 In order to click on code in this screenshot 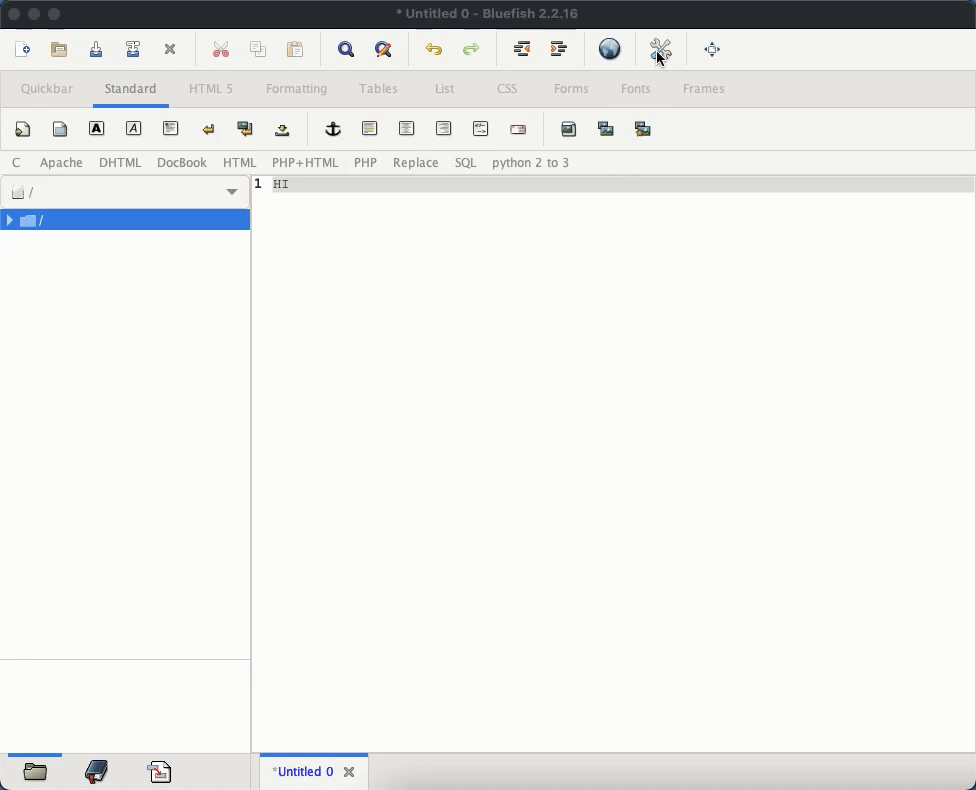, I will do `click(160, 770)`.